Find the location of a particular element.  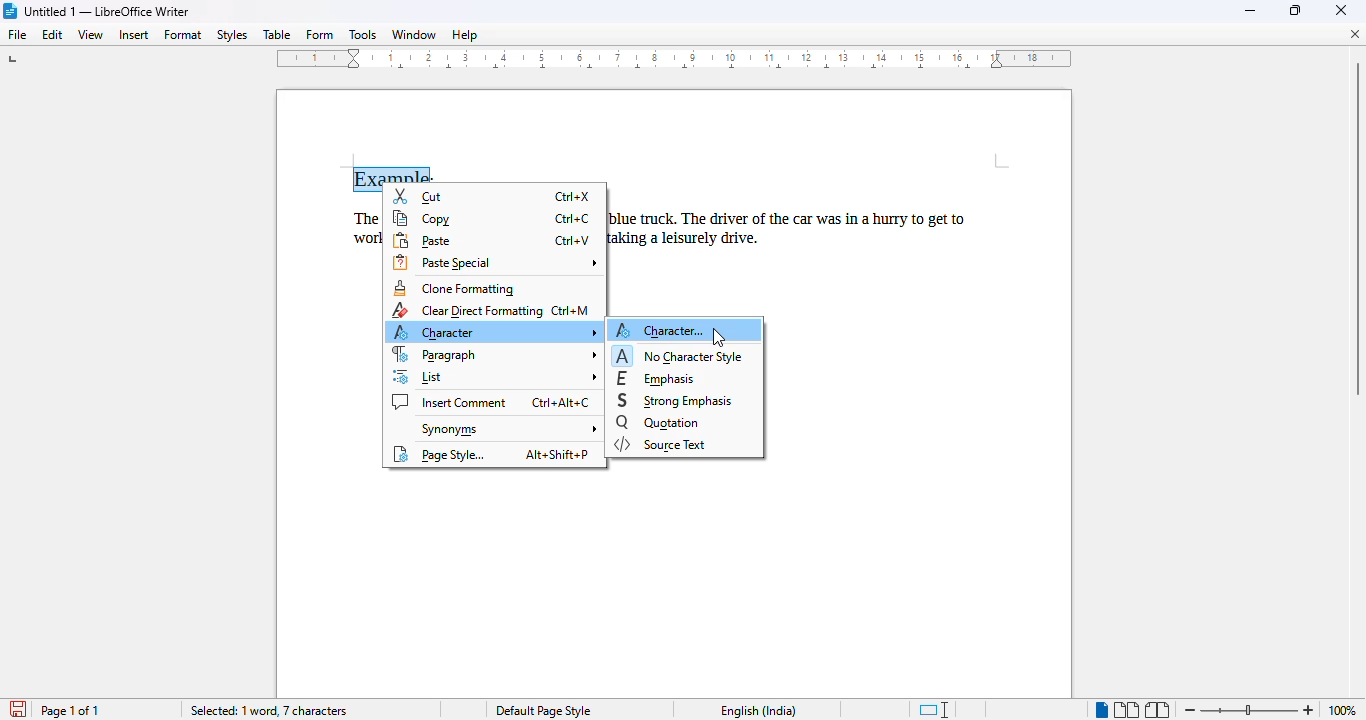

minimize is located at coordinates (1251, 11).